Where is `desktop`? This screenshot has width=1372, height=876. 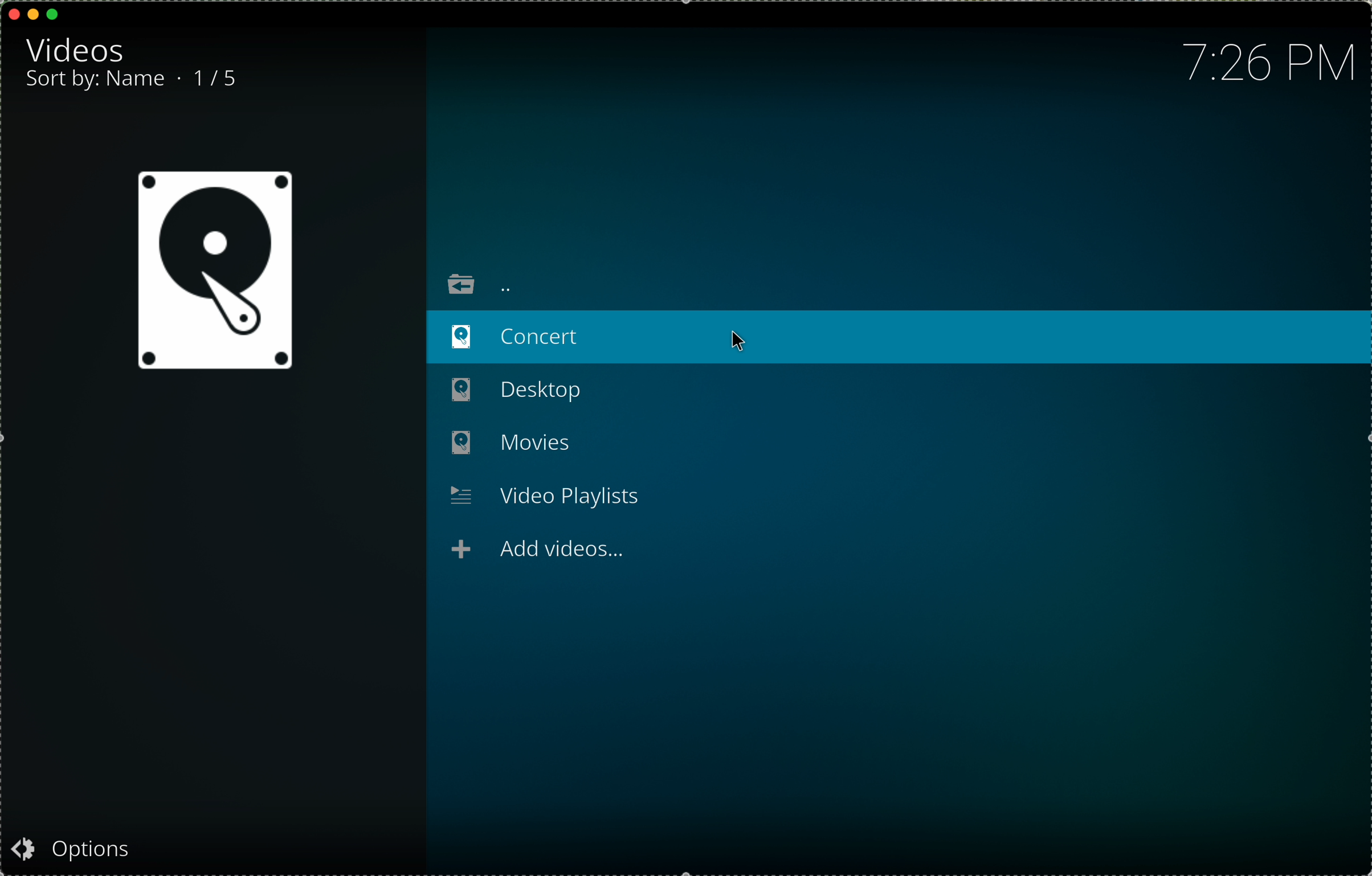 desktop is located at coordinates (518, 392).